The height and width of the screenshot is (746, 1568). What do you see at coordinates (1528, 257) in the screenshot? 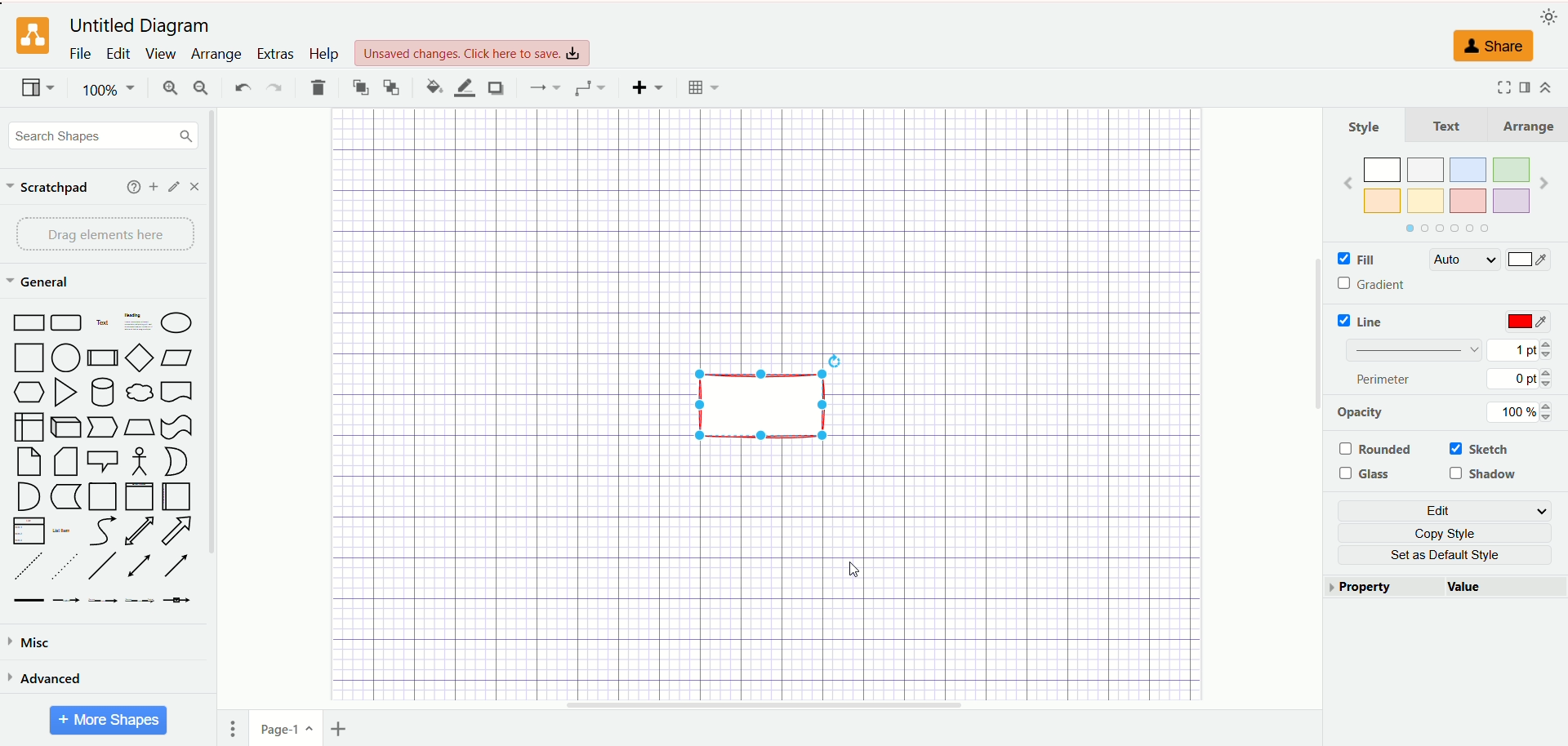
I see `color` at bounding box center [1528, 257].